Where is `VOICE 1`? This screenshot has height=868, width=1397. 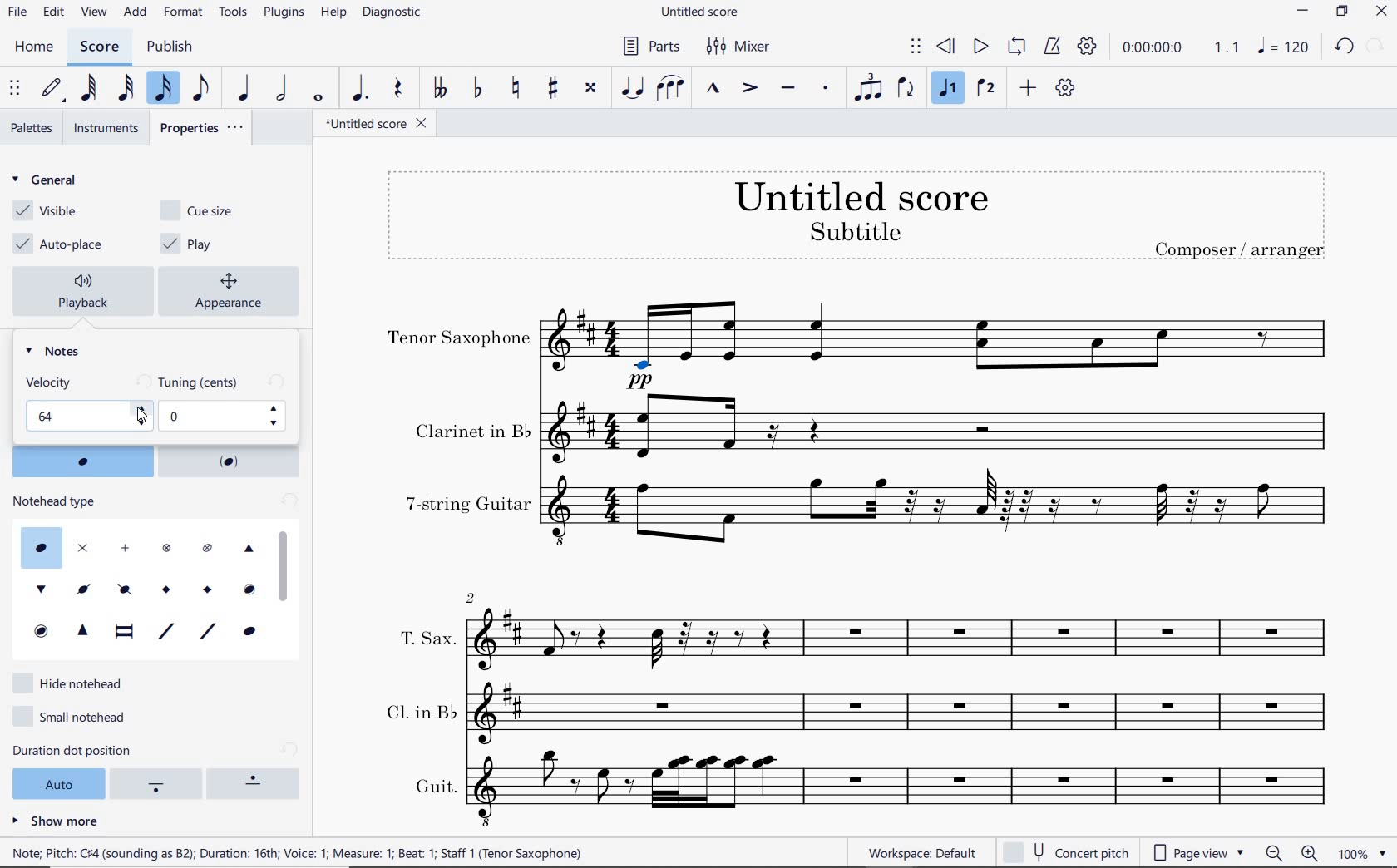
VOICE 1 is located at coordinates (950, 89).